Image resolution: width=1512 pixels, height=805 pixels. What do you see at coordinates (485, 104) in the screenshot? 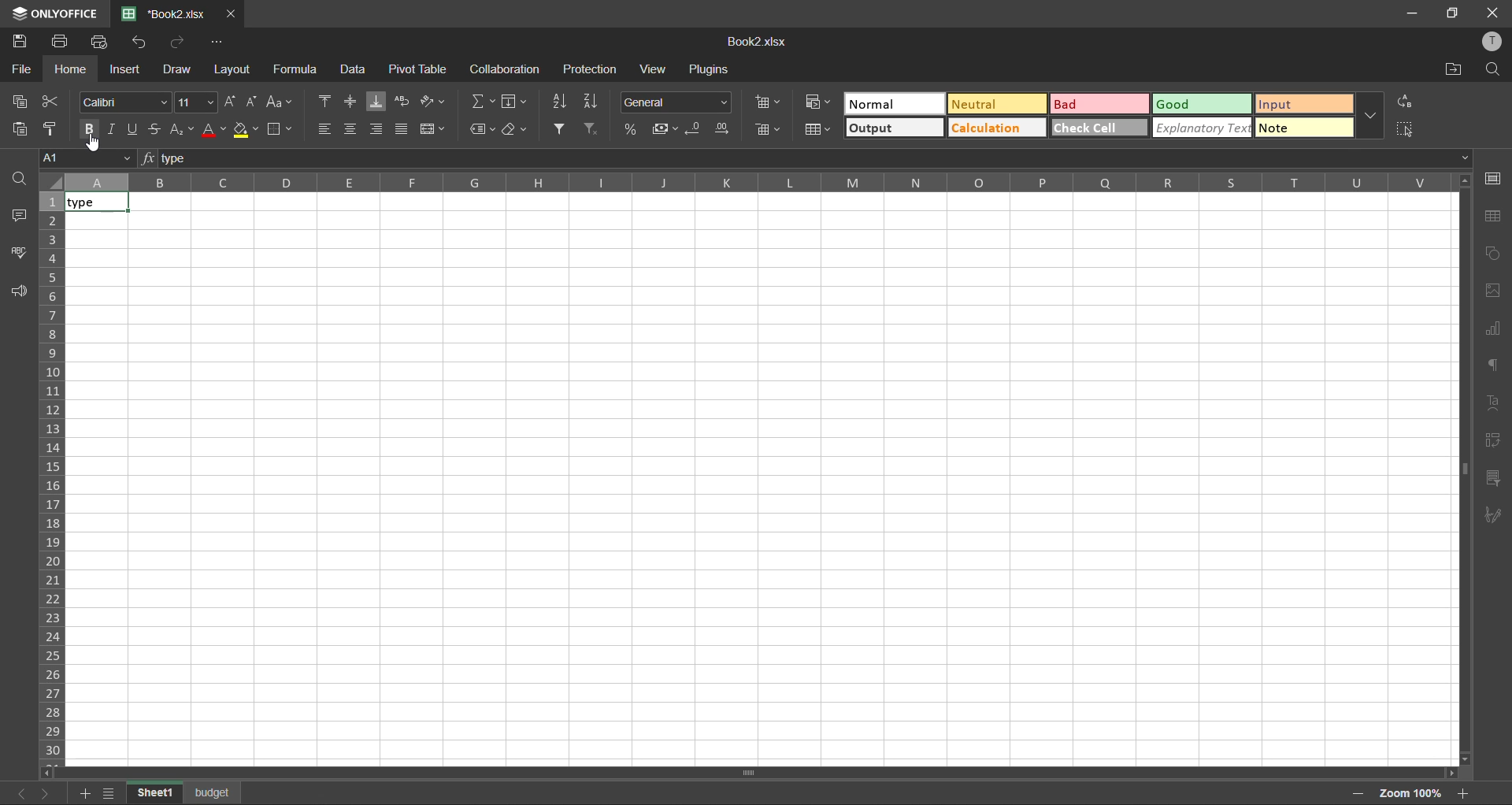
I see `summation` at bounding box center [485, 104].